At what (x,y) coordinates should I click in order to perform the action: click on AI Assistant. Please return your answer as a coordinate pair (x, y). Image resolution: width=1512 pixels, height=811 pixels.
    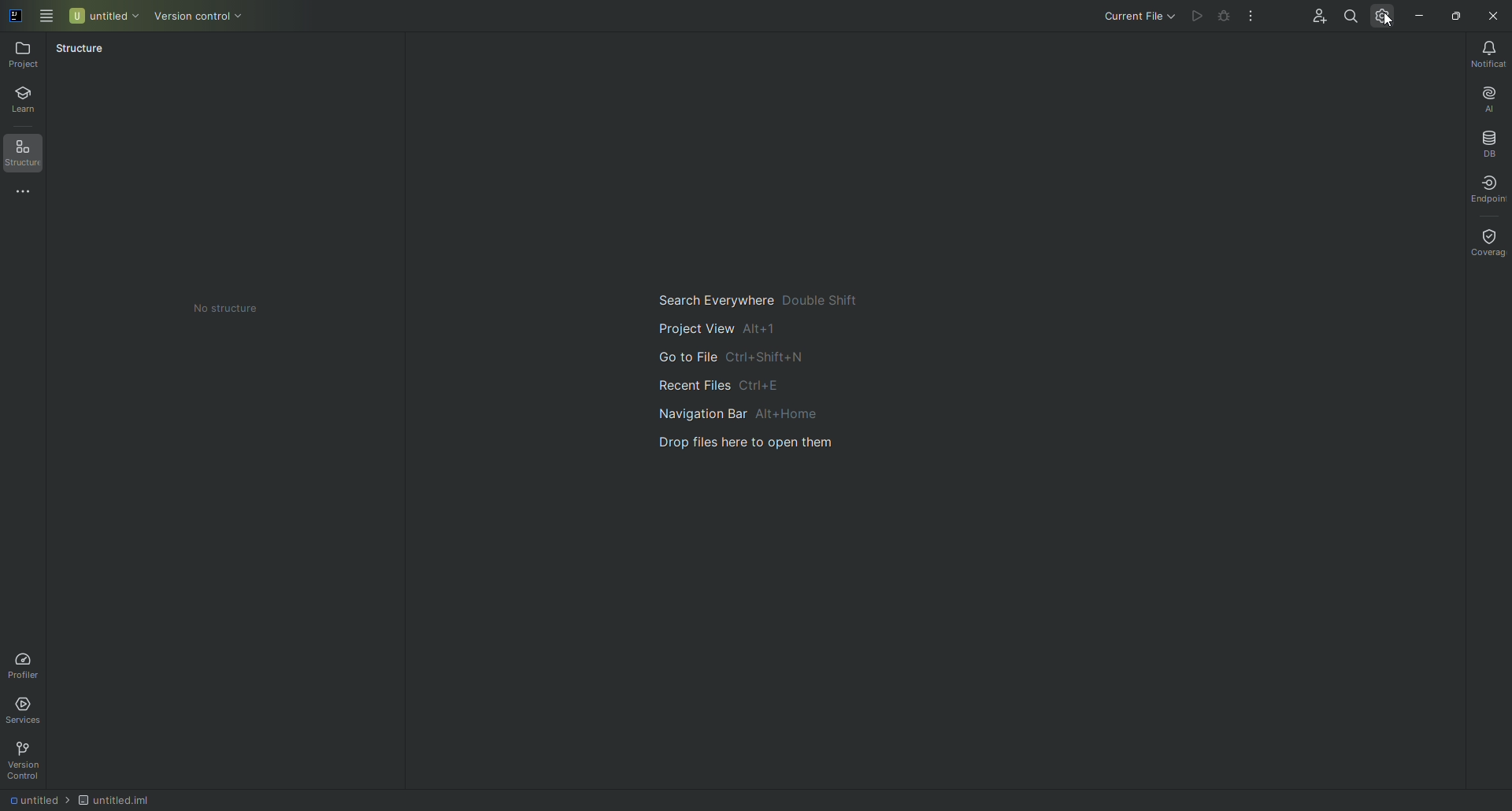
    Looking at the image, I should click on (1487, 96).